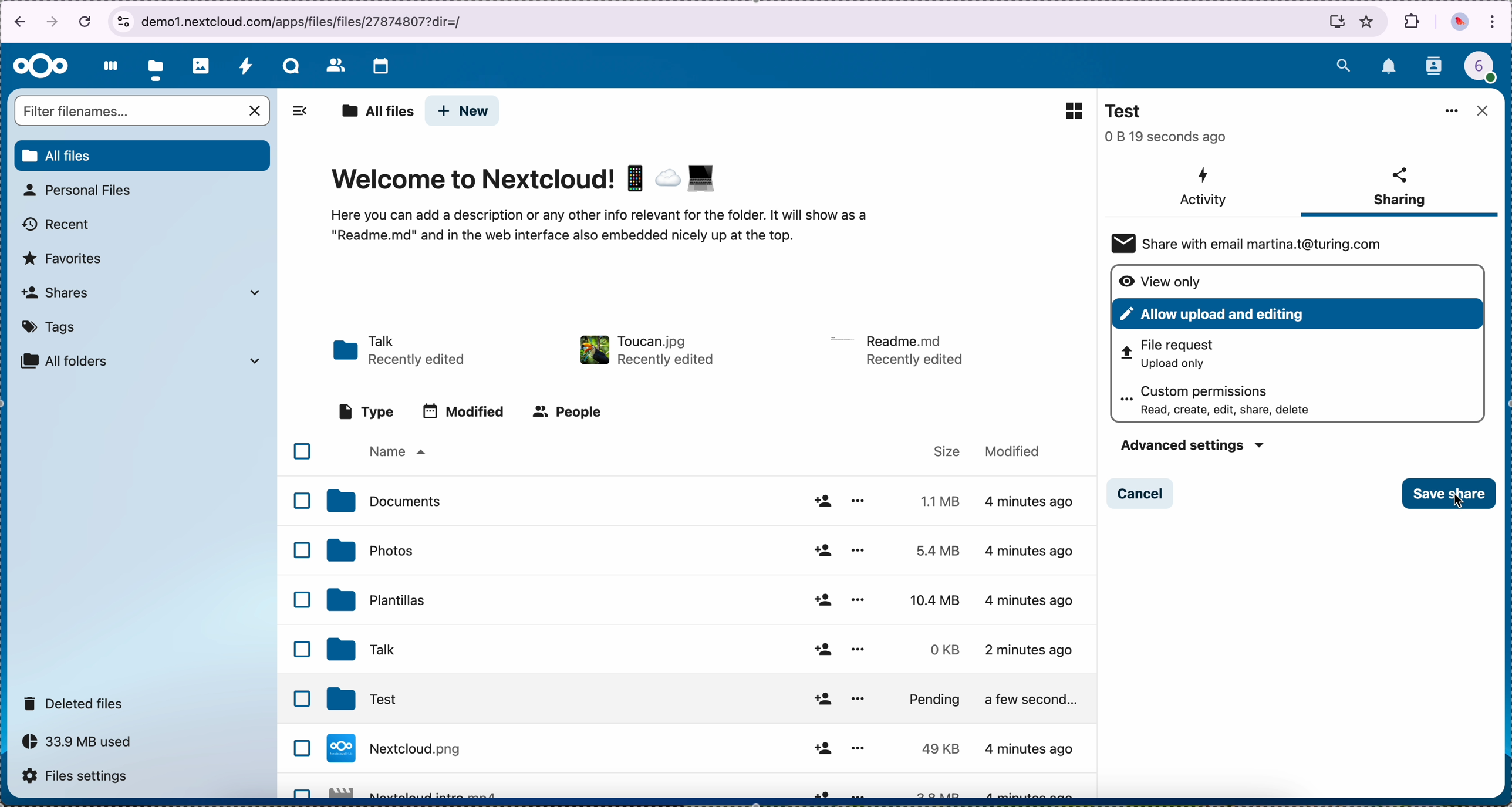 The image size is (1512, 807). I want to click on people, so click(571, 412).